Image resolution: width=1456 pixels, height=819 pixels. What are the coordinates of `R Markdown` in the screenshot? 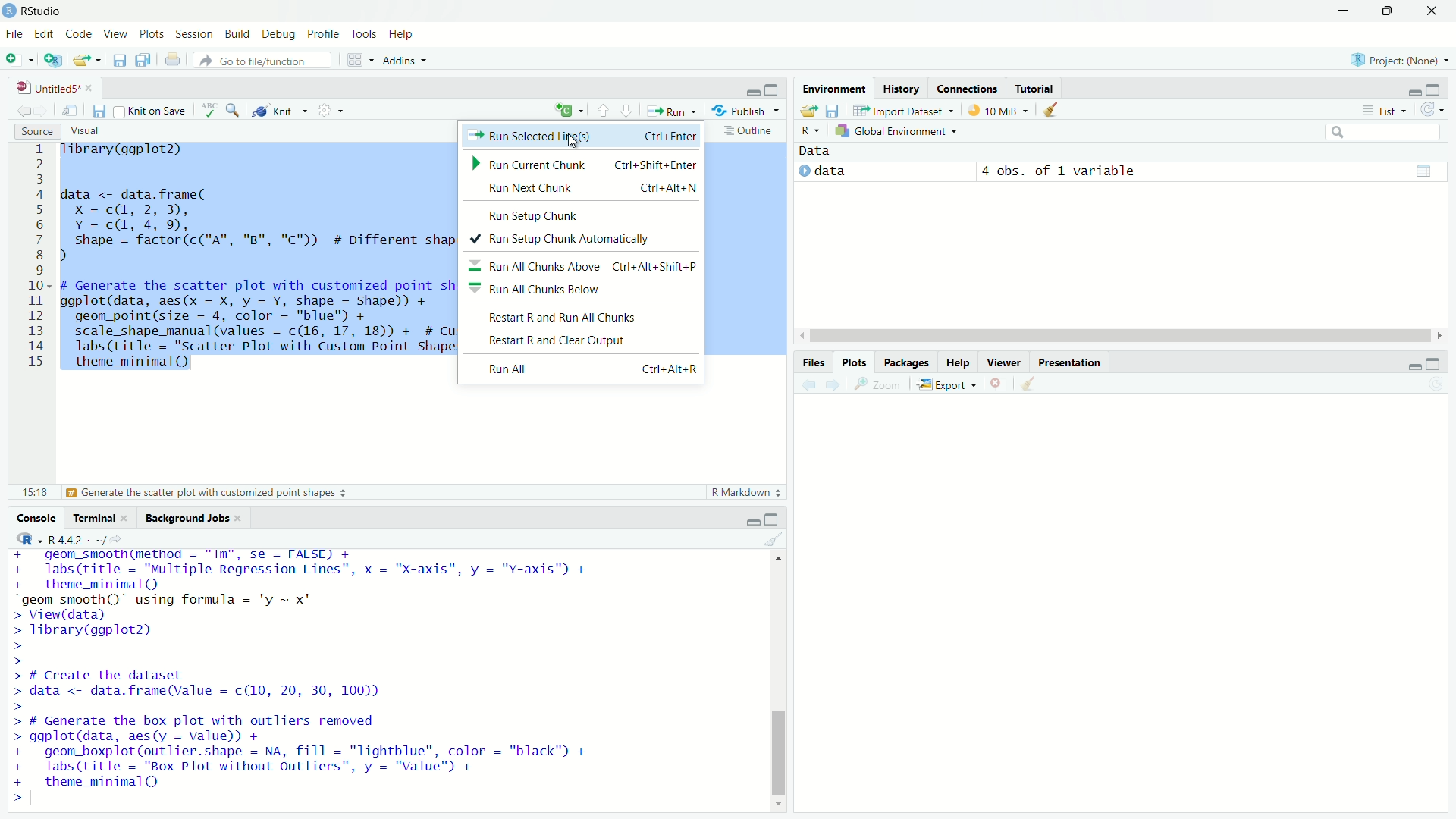 It's located at (747, 492).